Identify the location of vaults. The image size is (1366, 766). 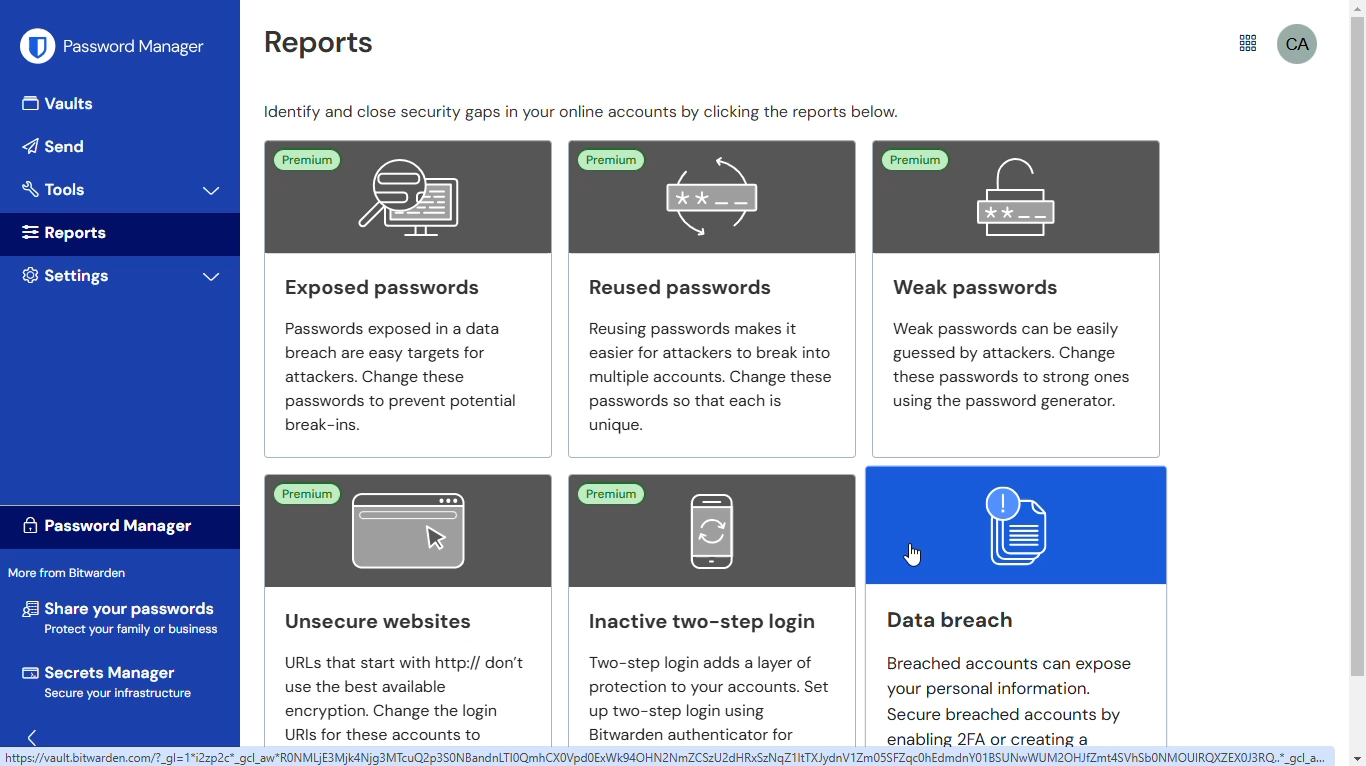
(61, 102).